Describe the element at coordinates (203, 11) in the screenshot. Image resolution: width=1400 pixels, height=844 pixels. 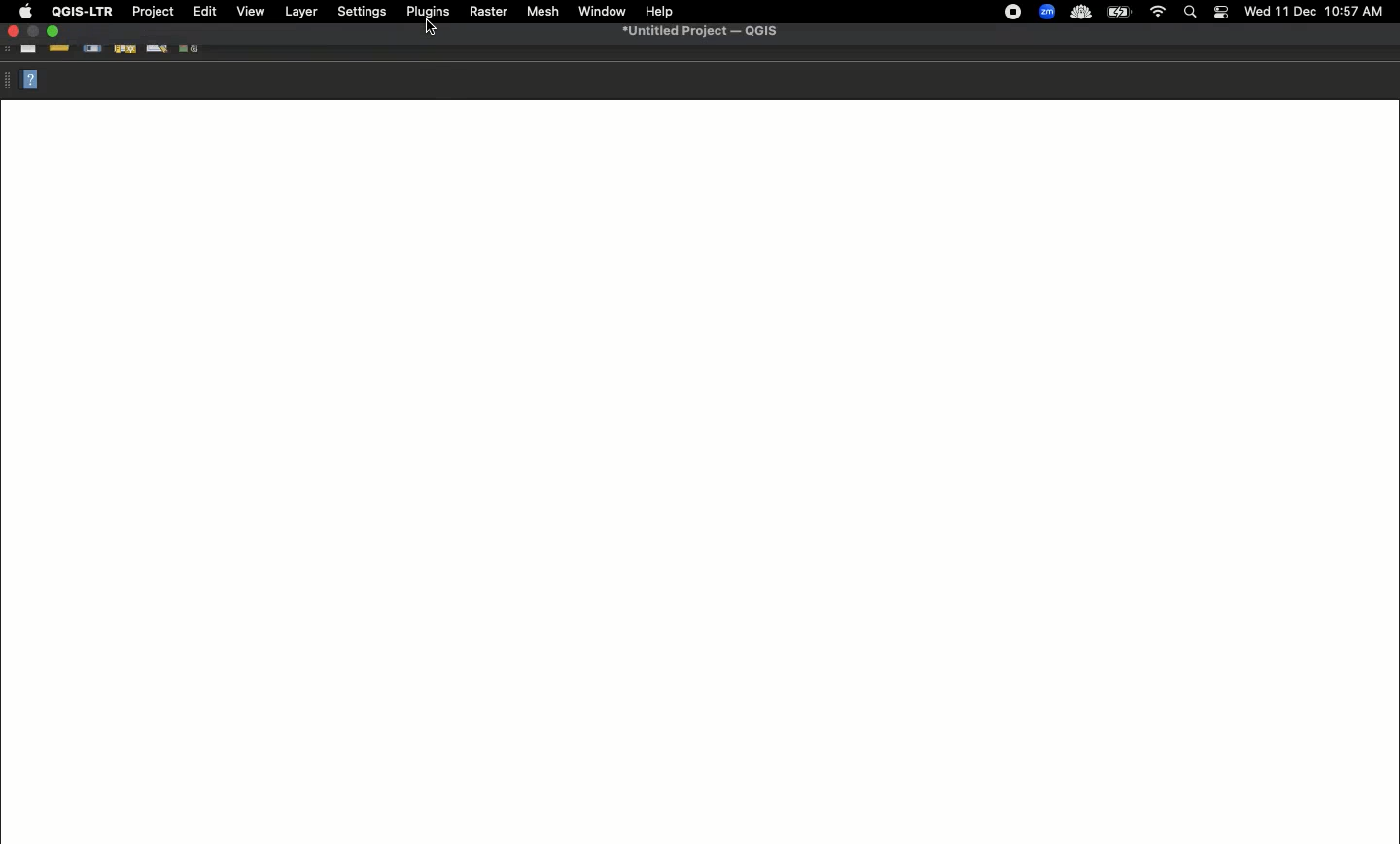
I see `Edit` at that location.